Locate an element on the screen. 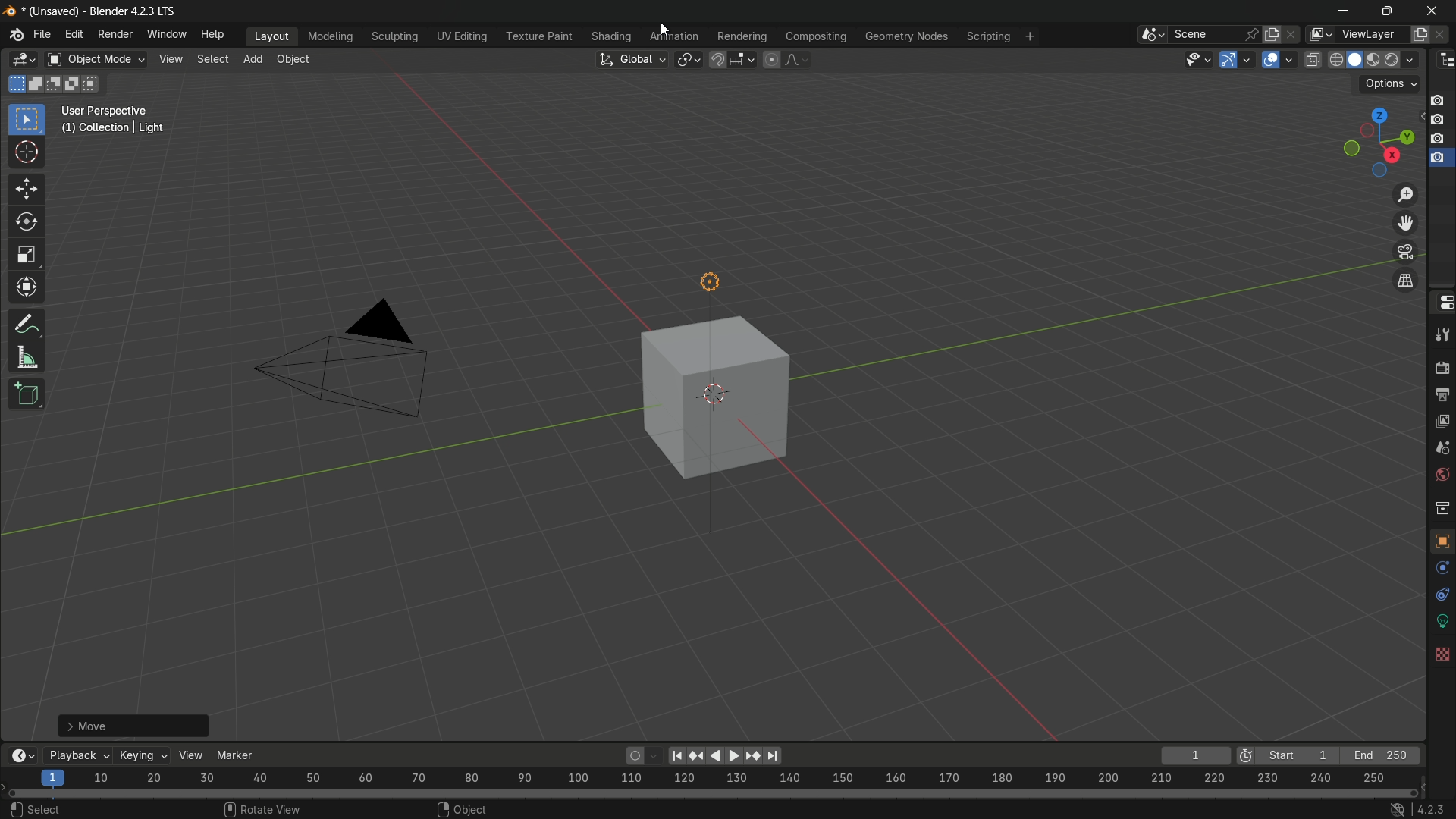 This screenshot has height=819, width=1456. cursor is located at coordinates (667, 31).